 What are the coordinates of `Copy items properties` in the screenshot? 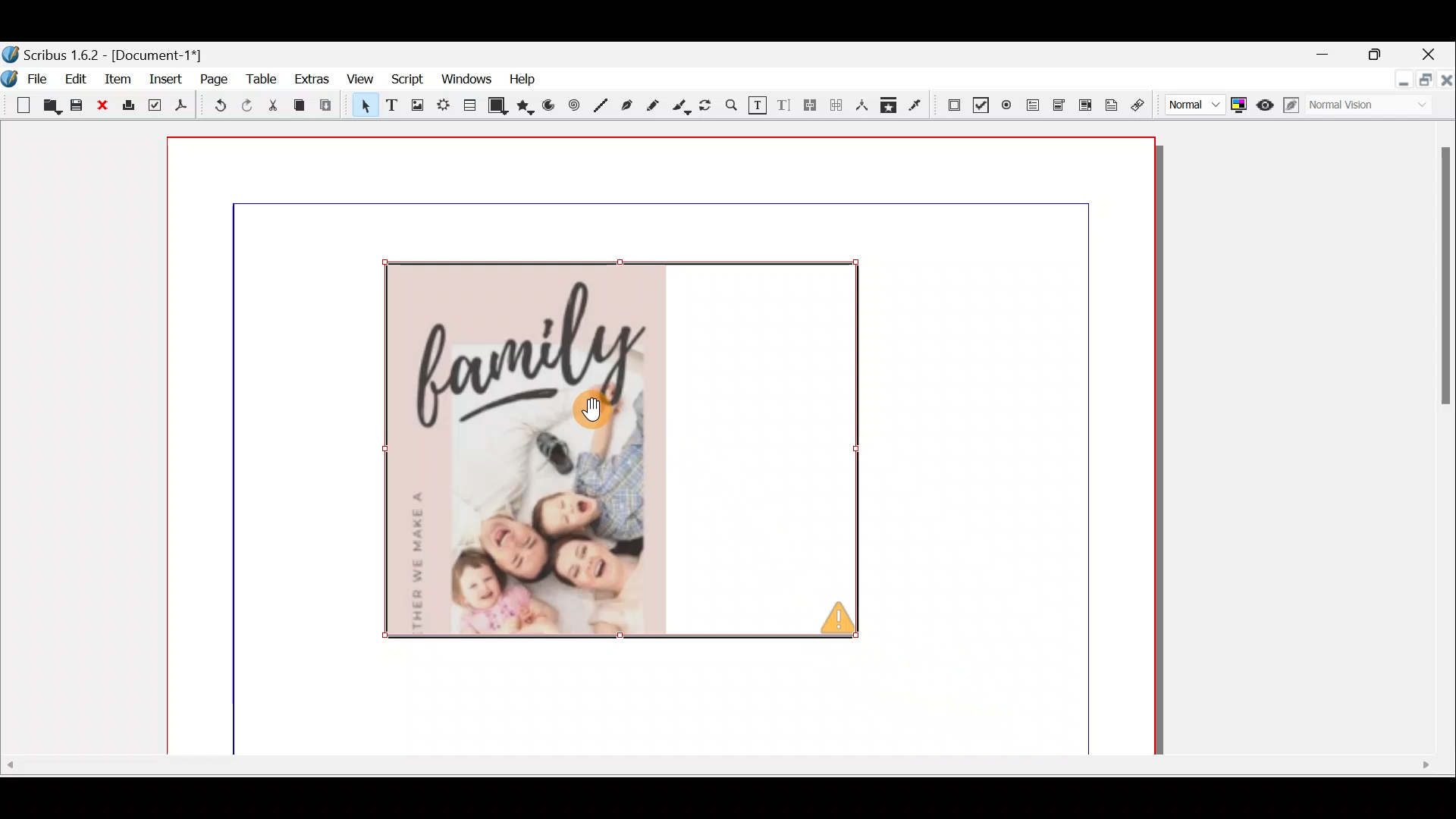 It's located at (889, 105).